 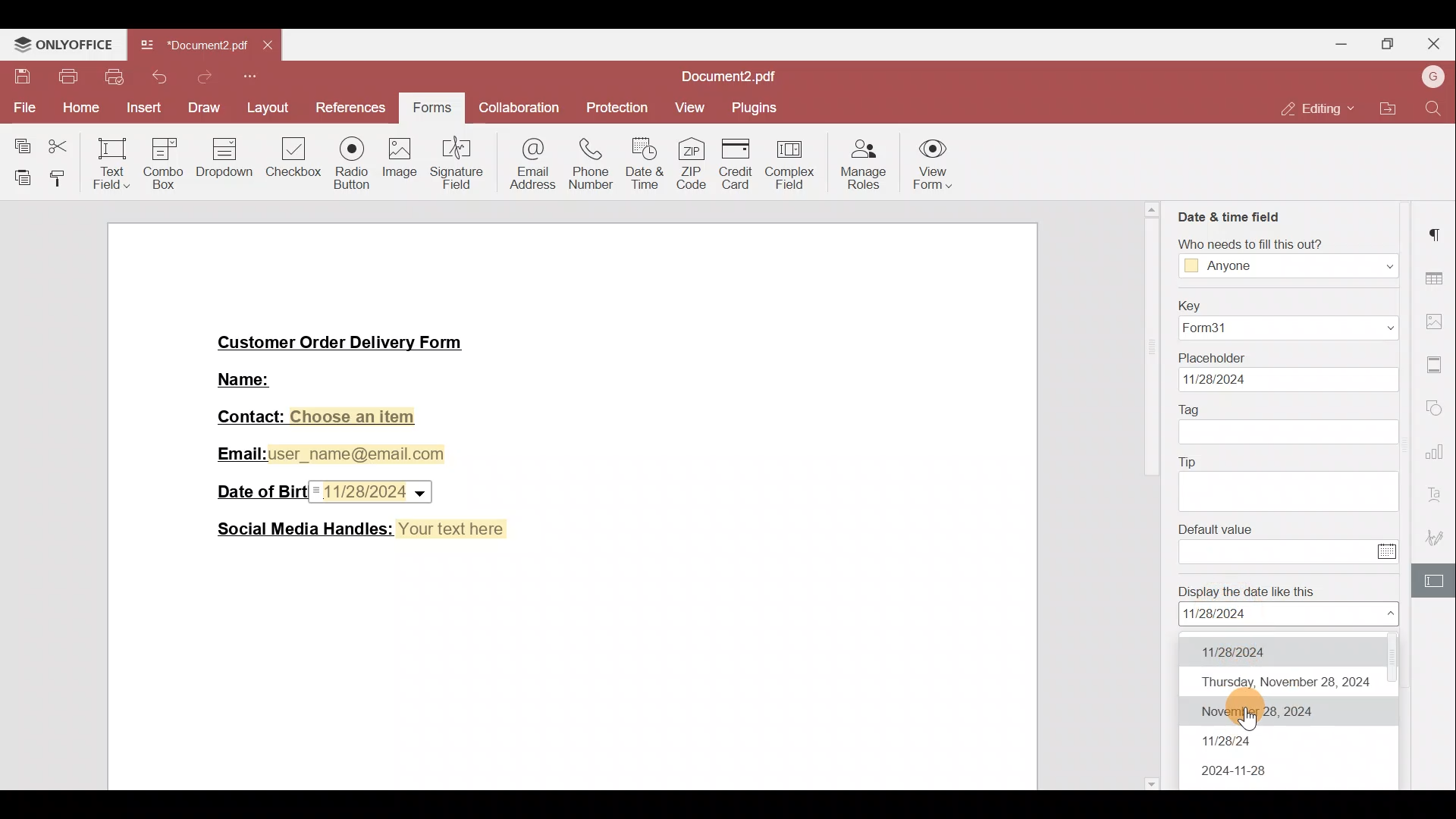 What do you see at coordinates (1289, 614) in the screenshot?
I see `date format` at bounding box center [1289, 614].